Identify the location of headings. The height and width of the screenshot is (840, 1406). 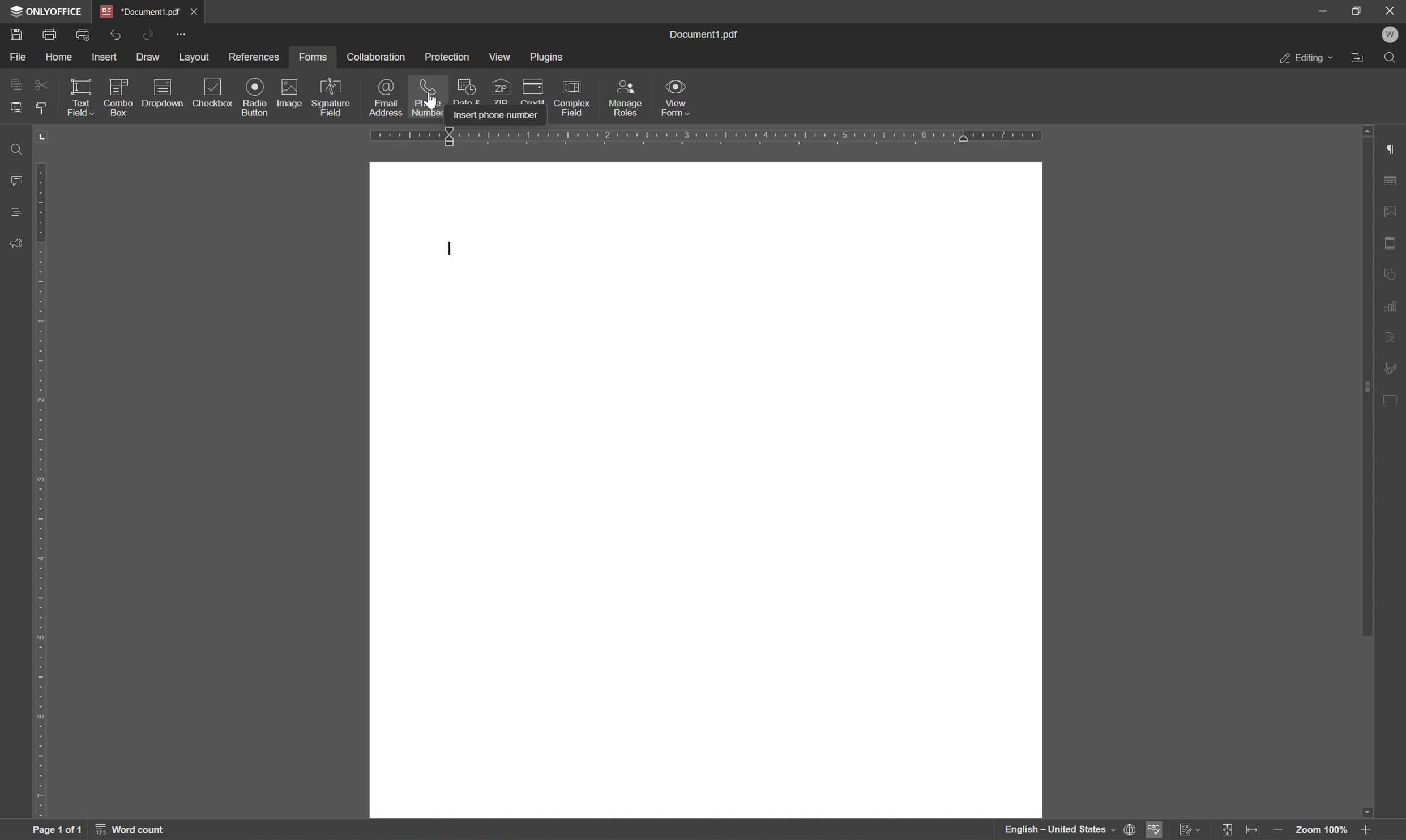
(14, 210).